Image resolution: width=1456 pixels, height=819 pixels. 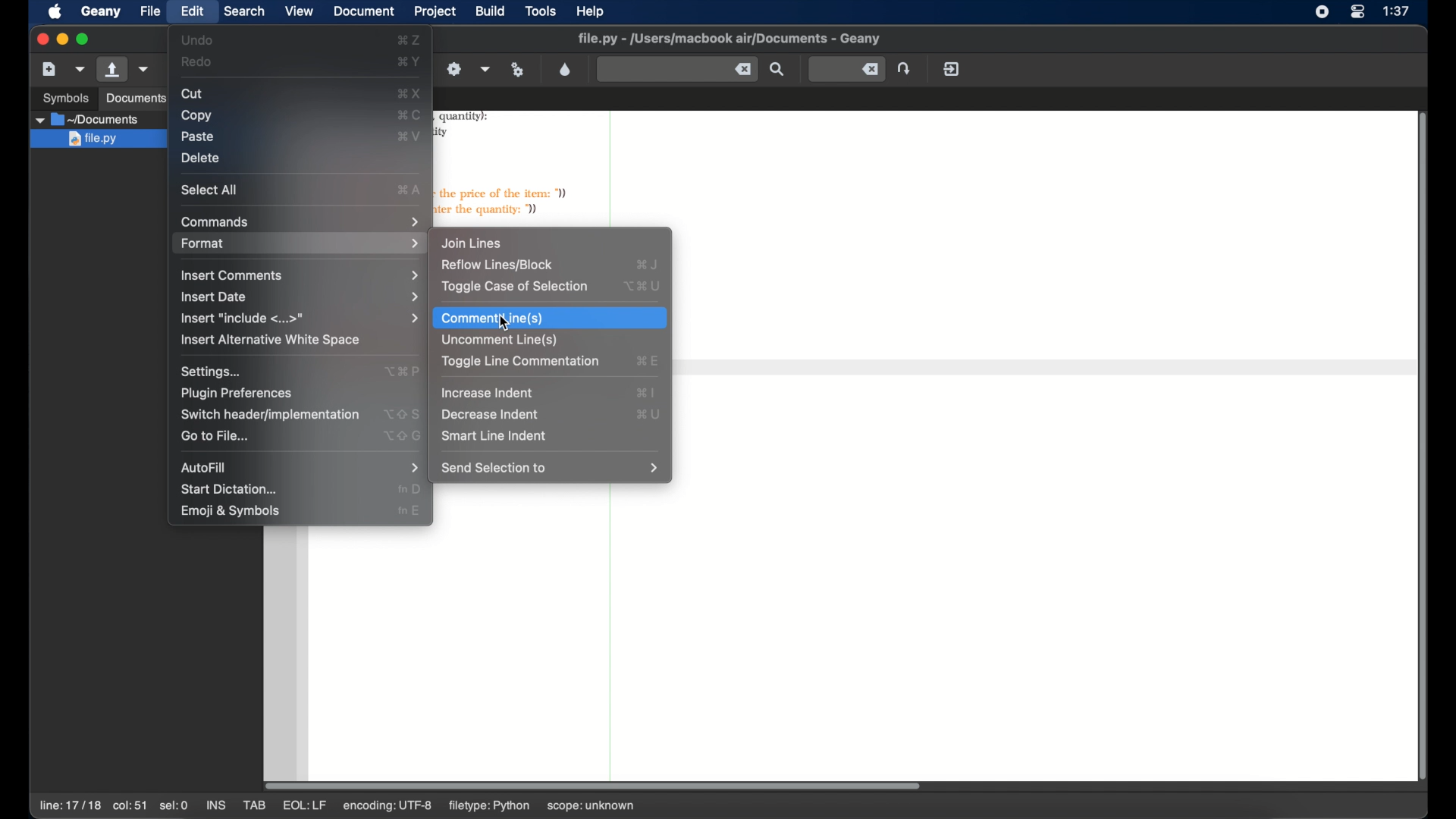 What do you see at coordinates (846, 68) in the screenshot?
I see `jump to the entered line number` at bounding box center [846, 68].